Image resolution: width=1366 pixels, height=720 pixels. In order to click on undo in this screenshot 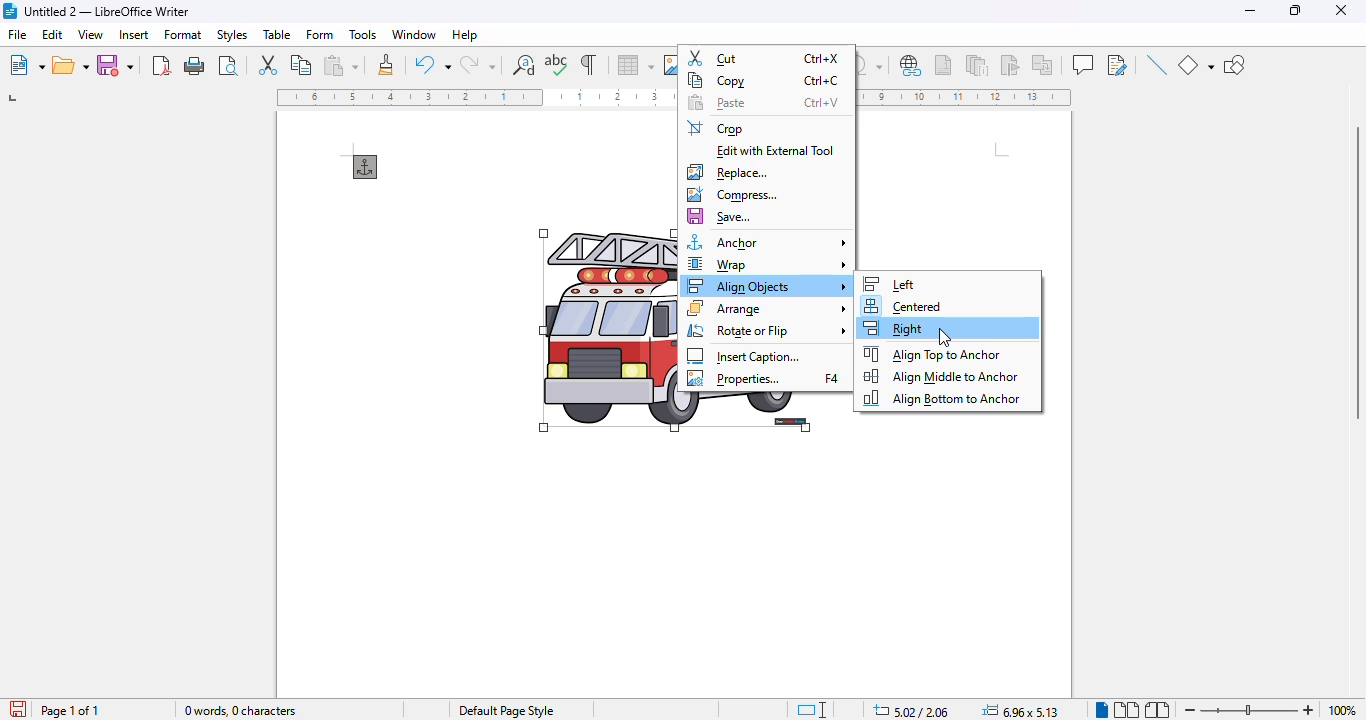, I will do `click(433, 64)`.